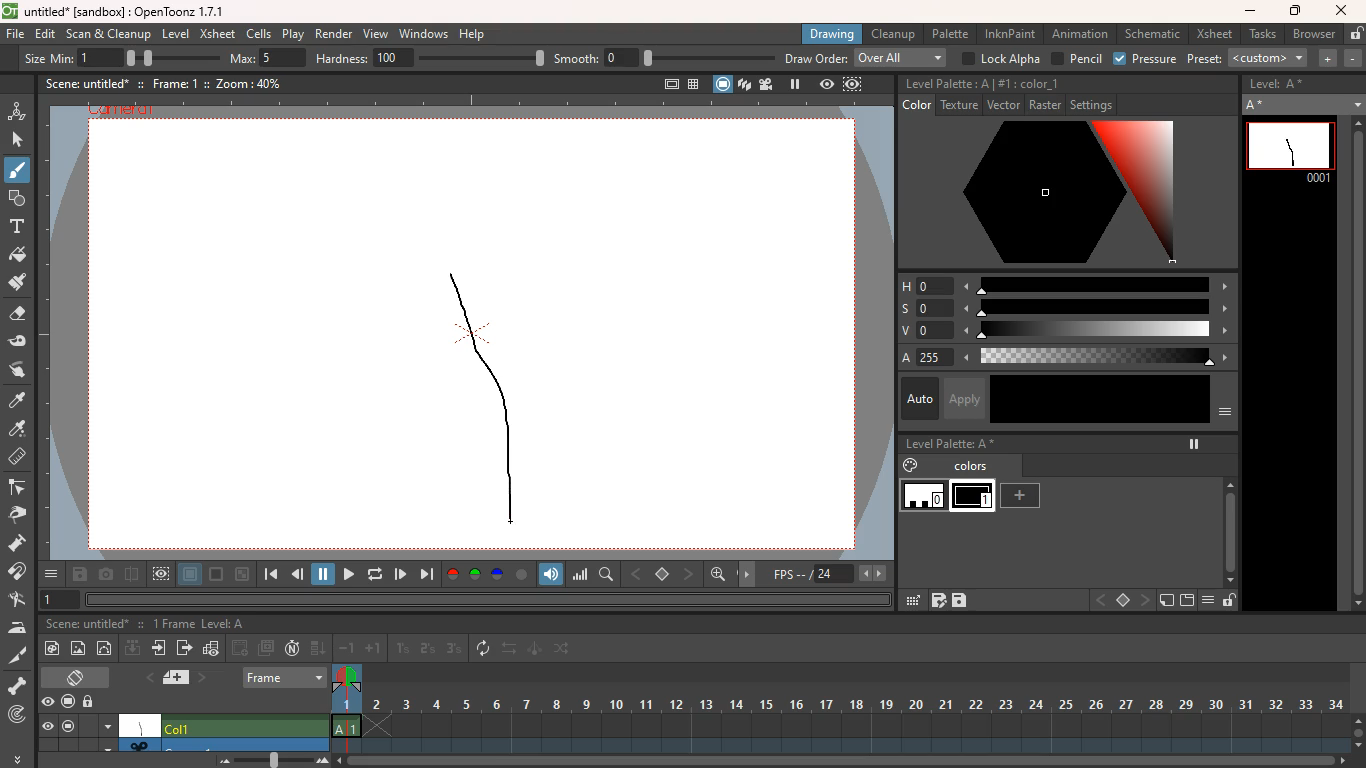  What do you see at coordinates (377, 35) in the screenshot?
I see `view` at bounding box center [377, 35].